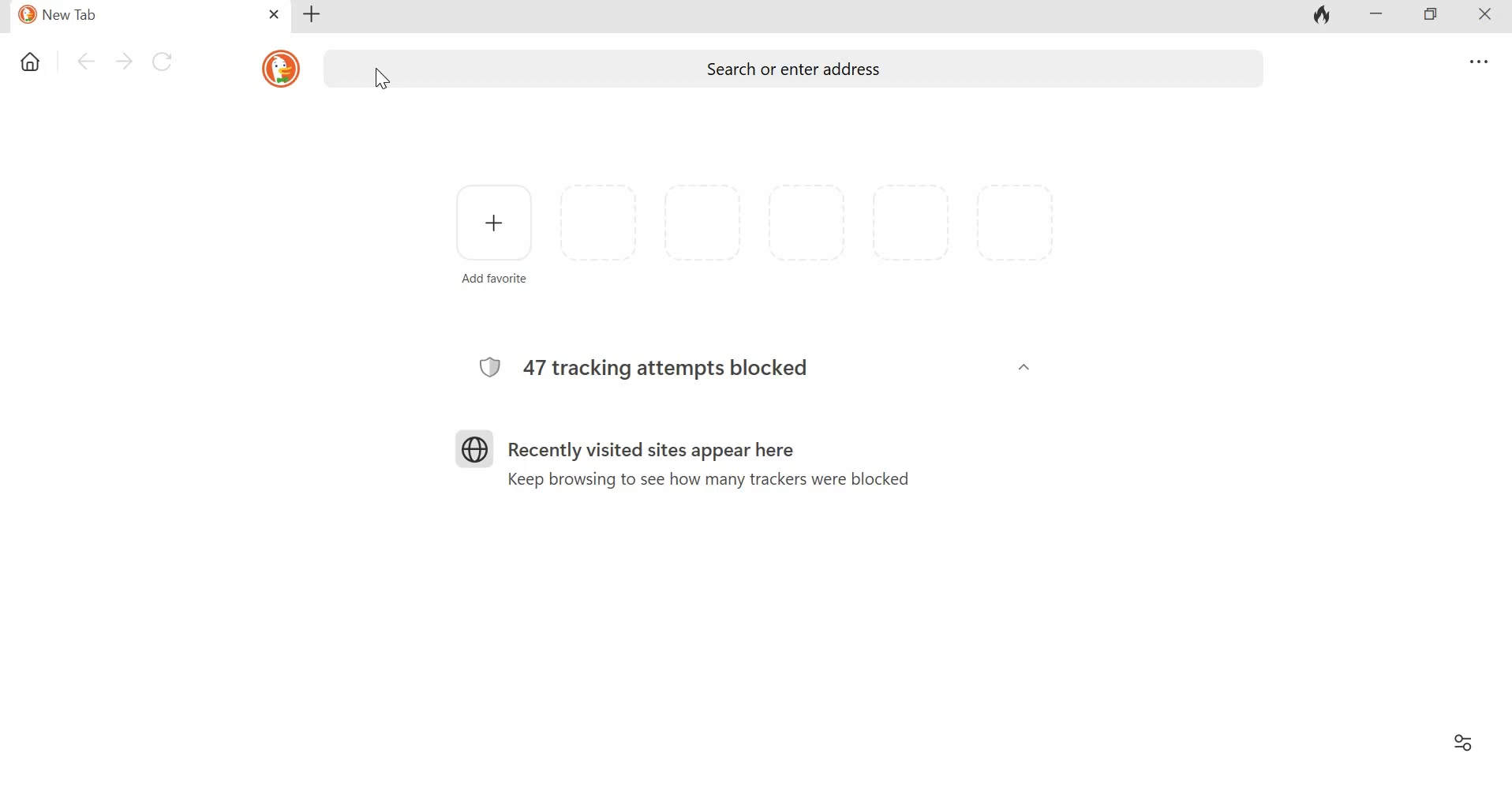  Describe the element at coordinates (84, 61) in the screenshot. I see `Go back one page` at that location.